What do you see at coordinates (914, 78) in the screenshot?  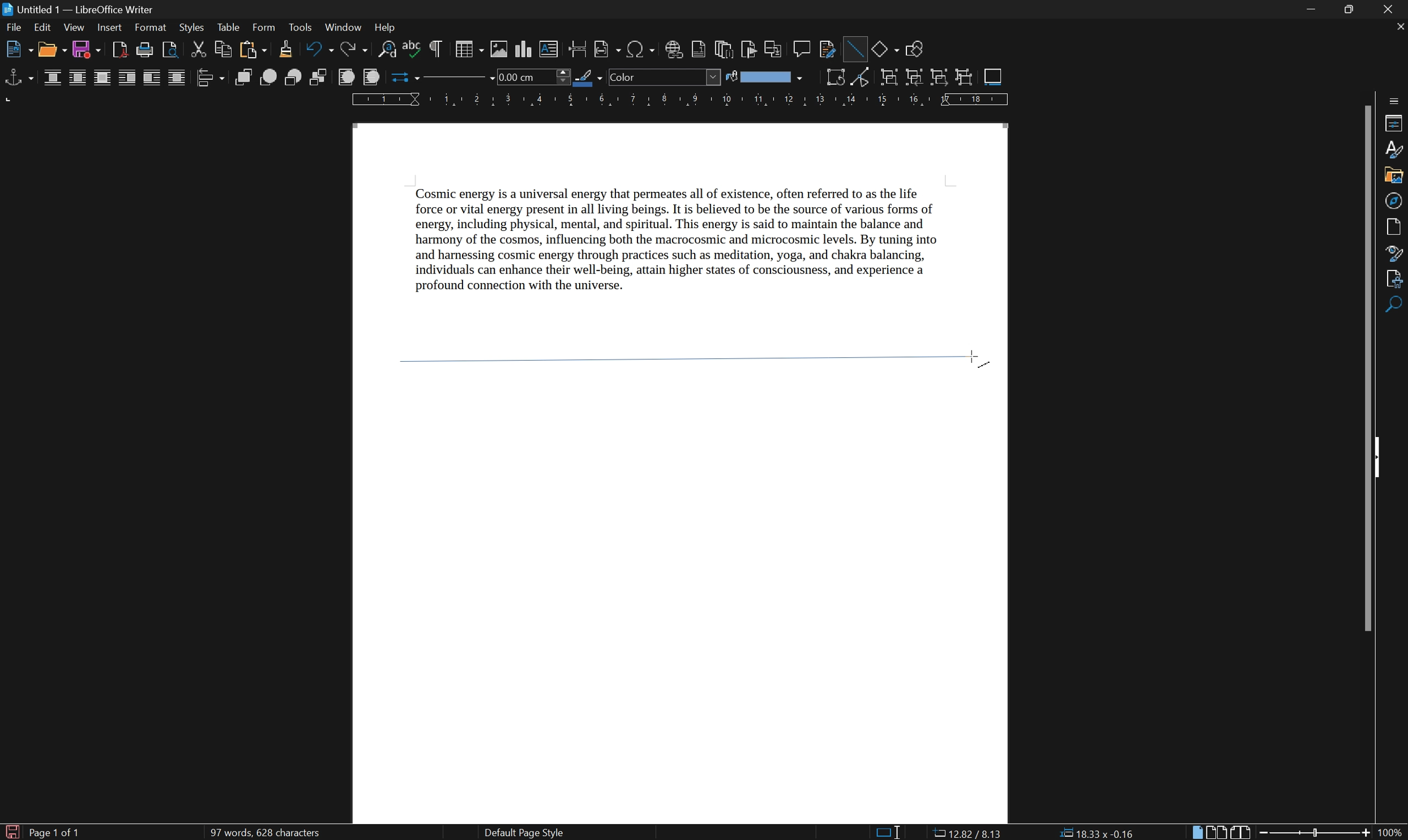 I see `enter group` at bounding box center [914, 78].